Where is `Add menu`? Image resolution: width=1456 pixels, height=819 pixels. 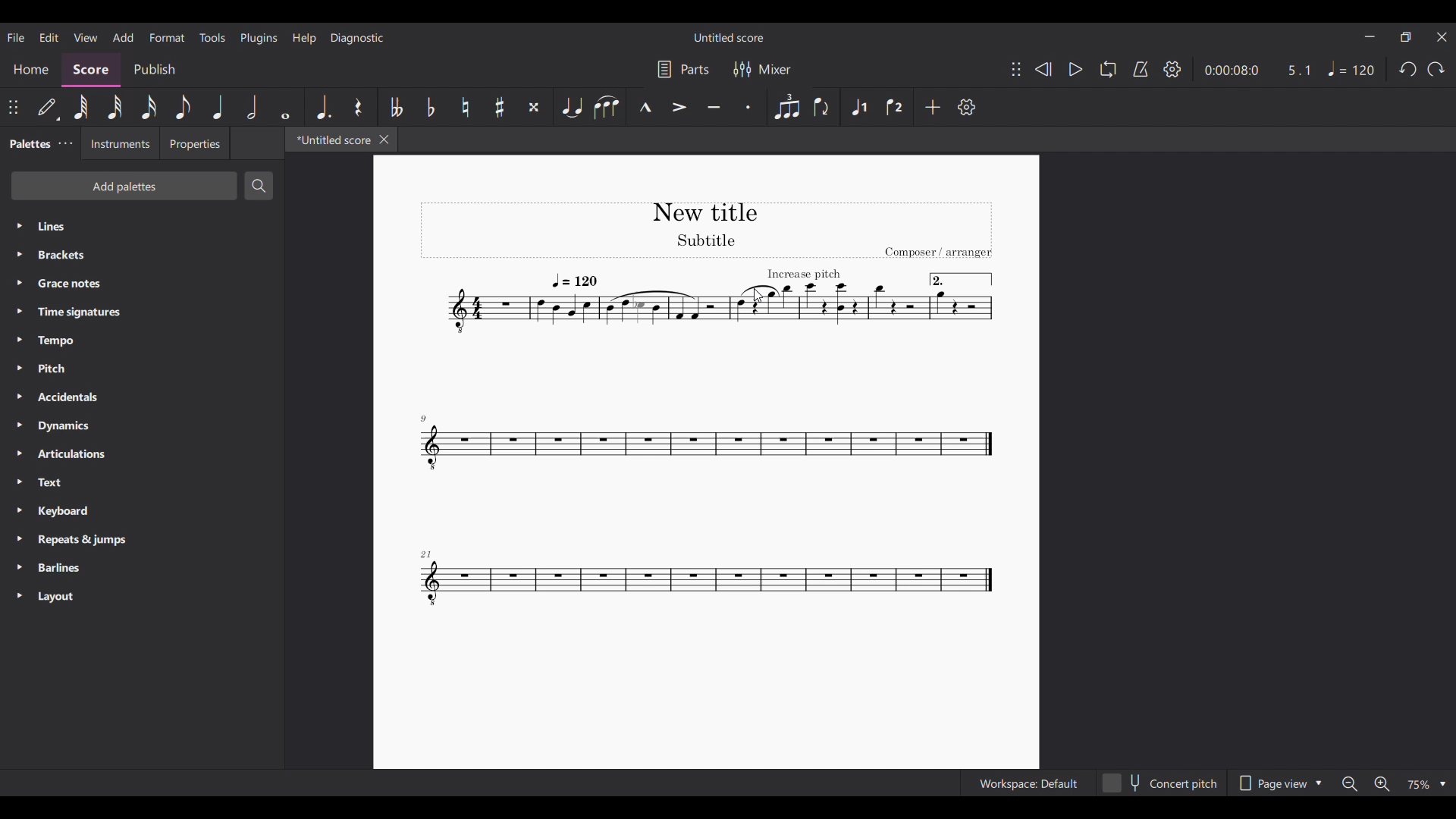 Add menu is located at coordinates (124, 38).